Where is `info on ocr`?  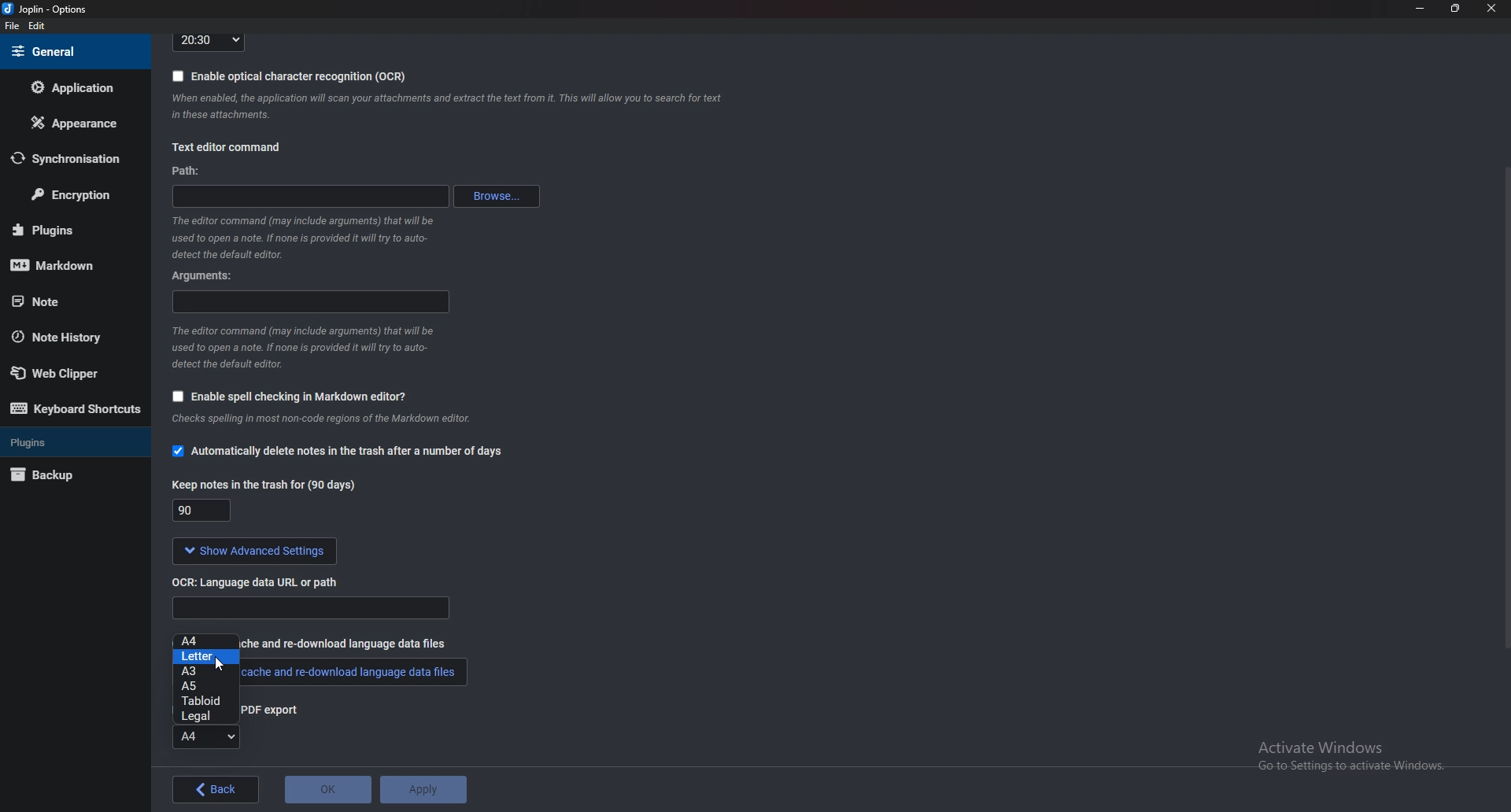
info on ocr is located at coordinates (448, 106).